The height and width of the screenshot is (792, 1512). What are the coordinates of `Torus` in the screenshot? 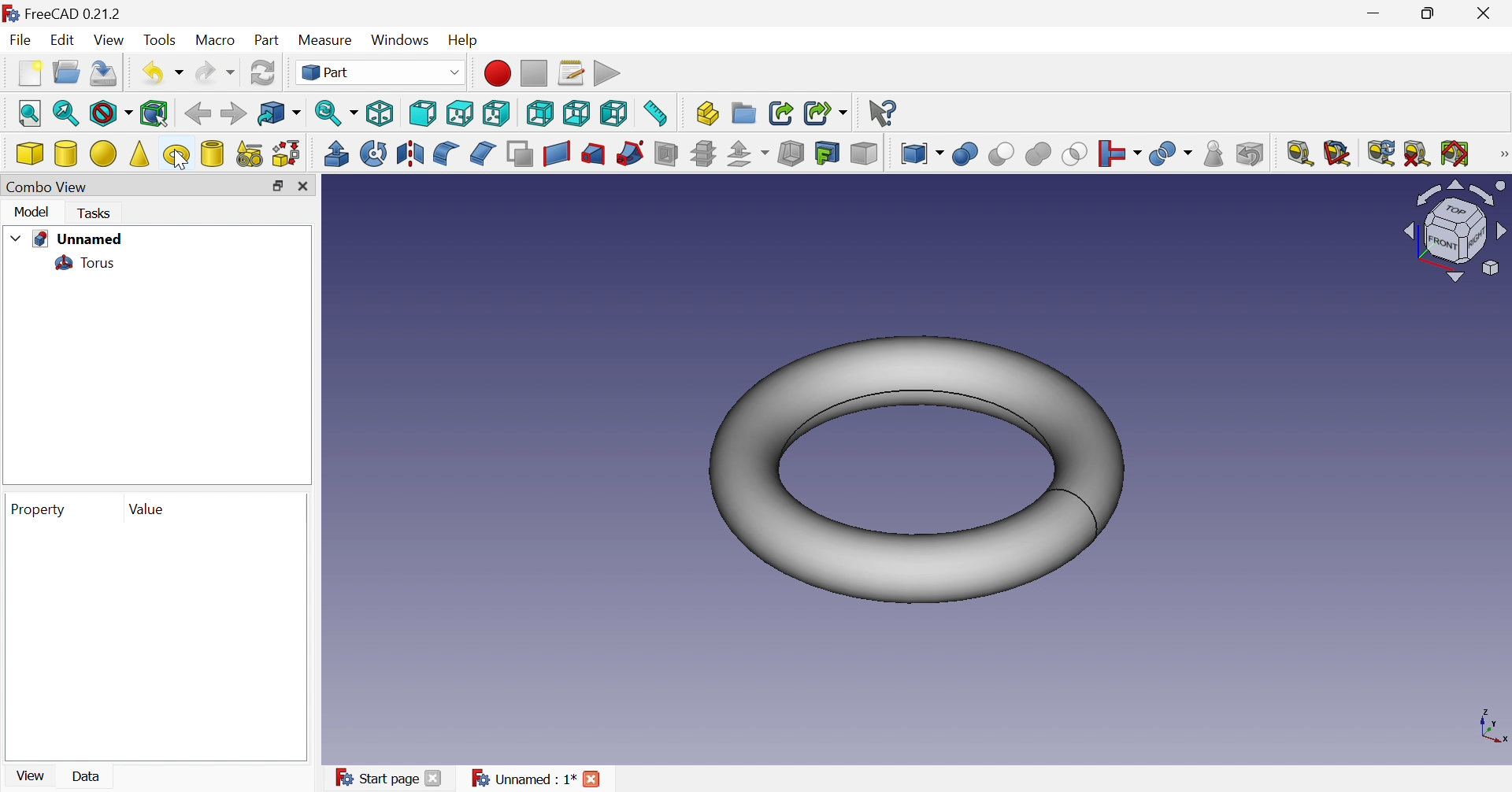 It's located at (176, 157).